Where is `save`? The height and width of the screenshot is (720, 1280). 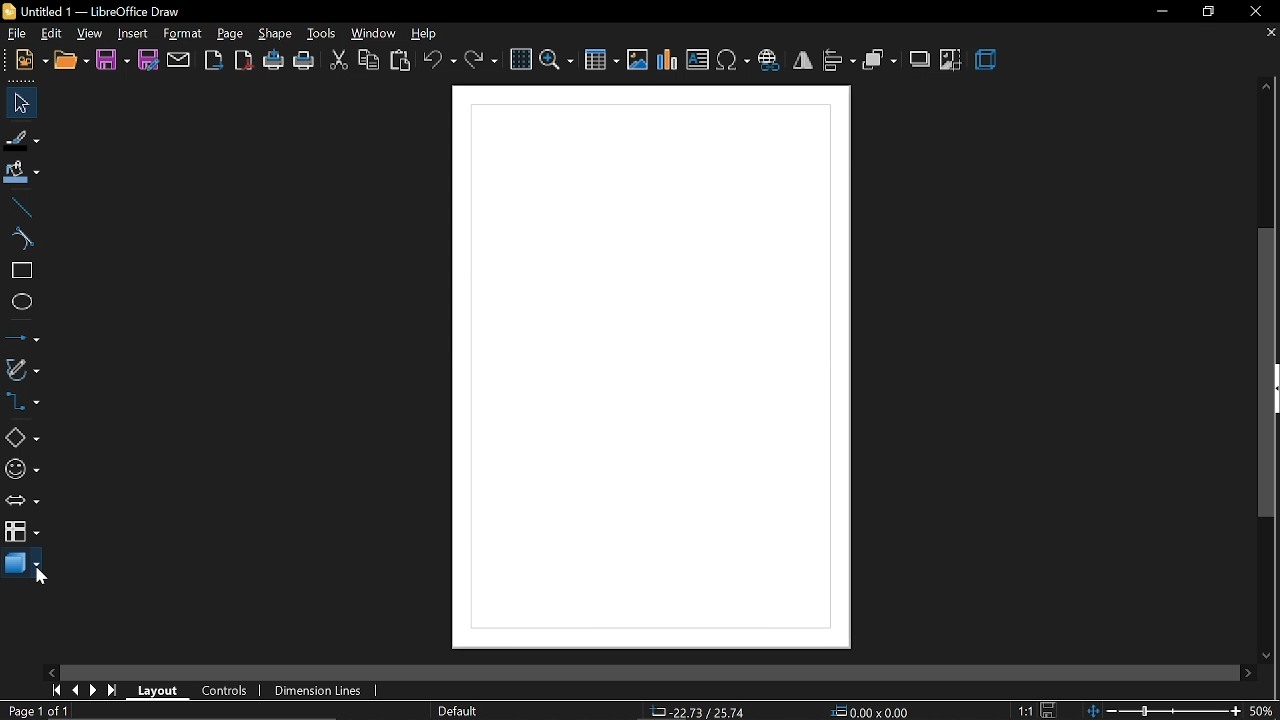 save is located at coordinates (114, 61).